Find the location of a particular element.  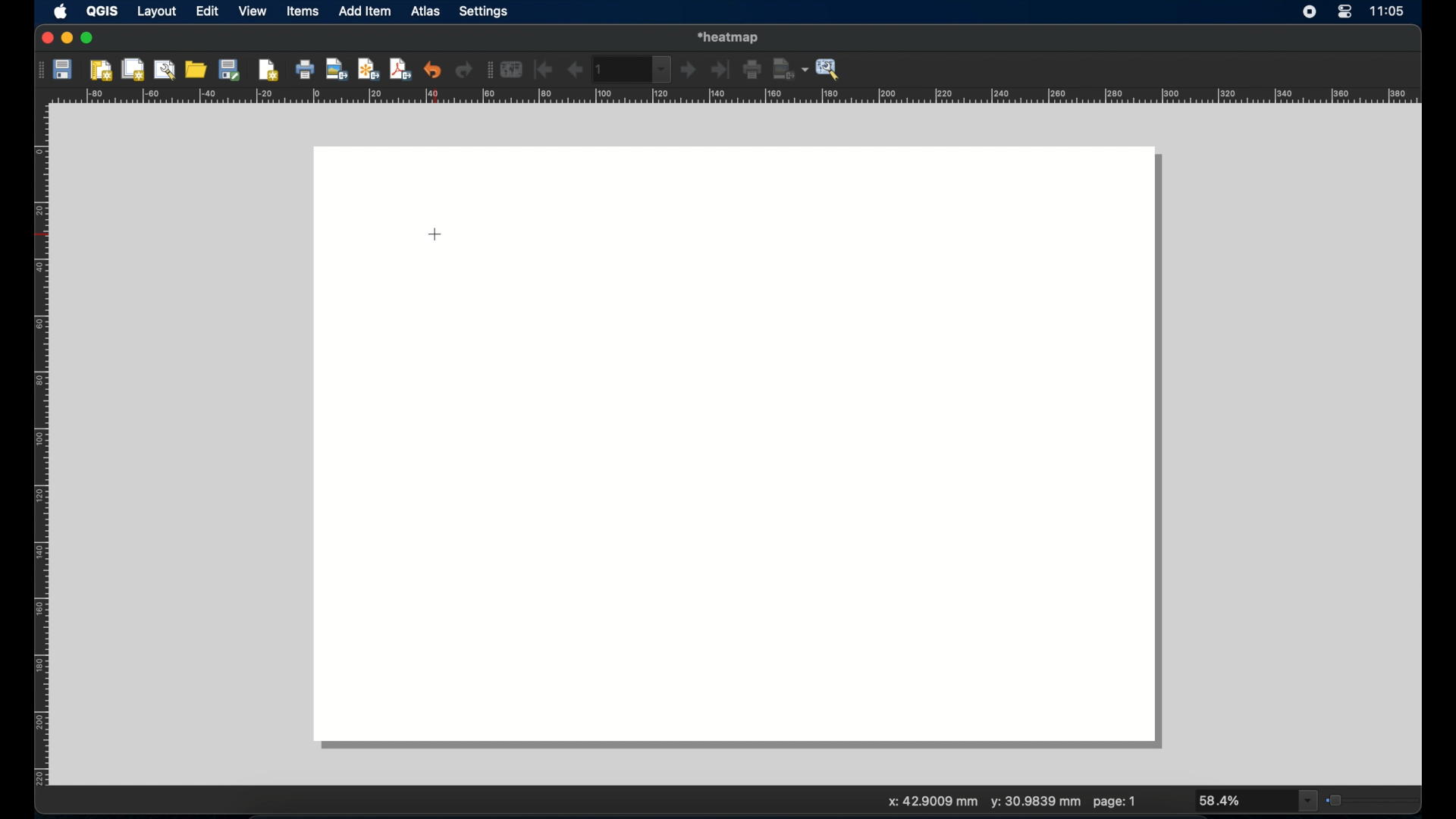

export atlas as image is located at coordinates (791, 68).